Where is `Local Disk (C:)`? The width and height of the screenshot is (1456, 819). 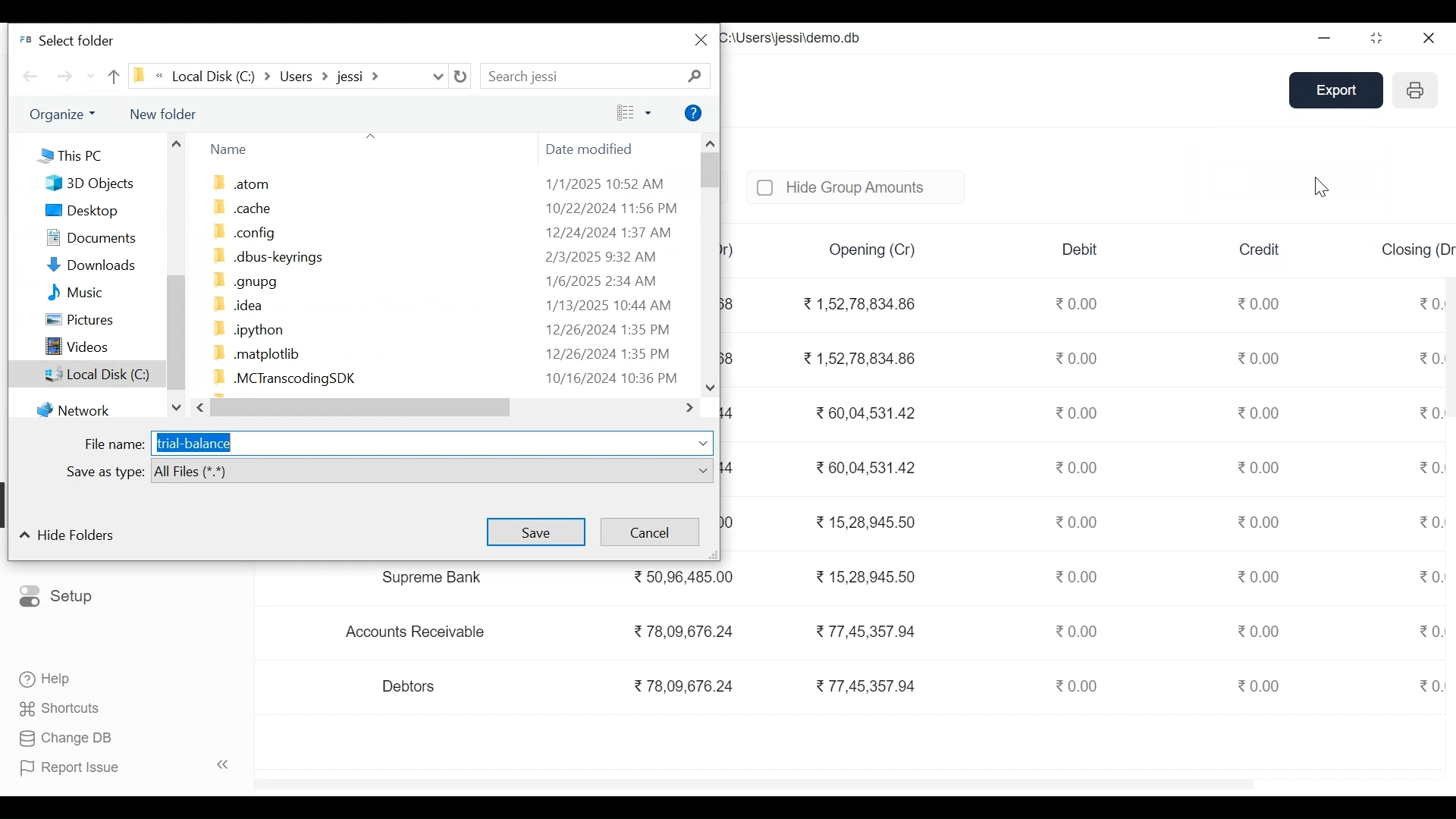
Local Disk (C:) is located at coordinates (87, 372).